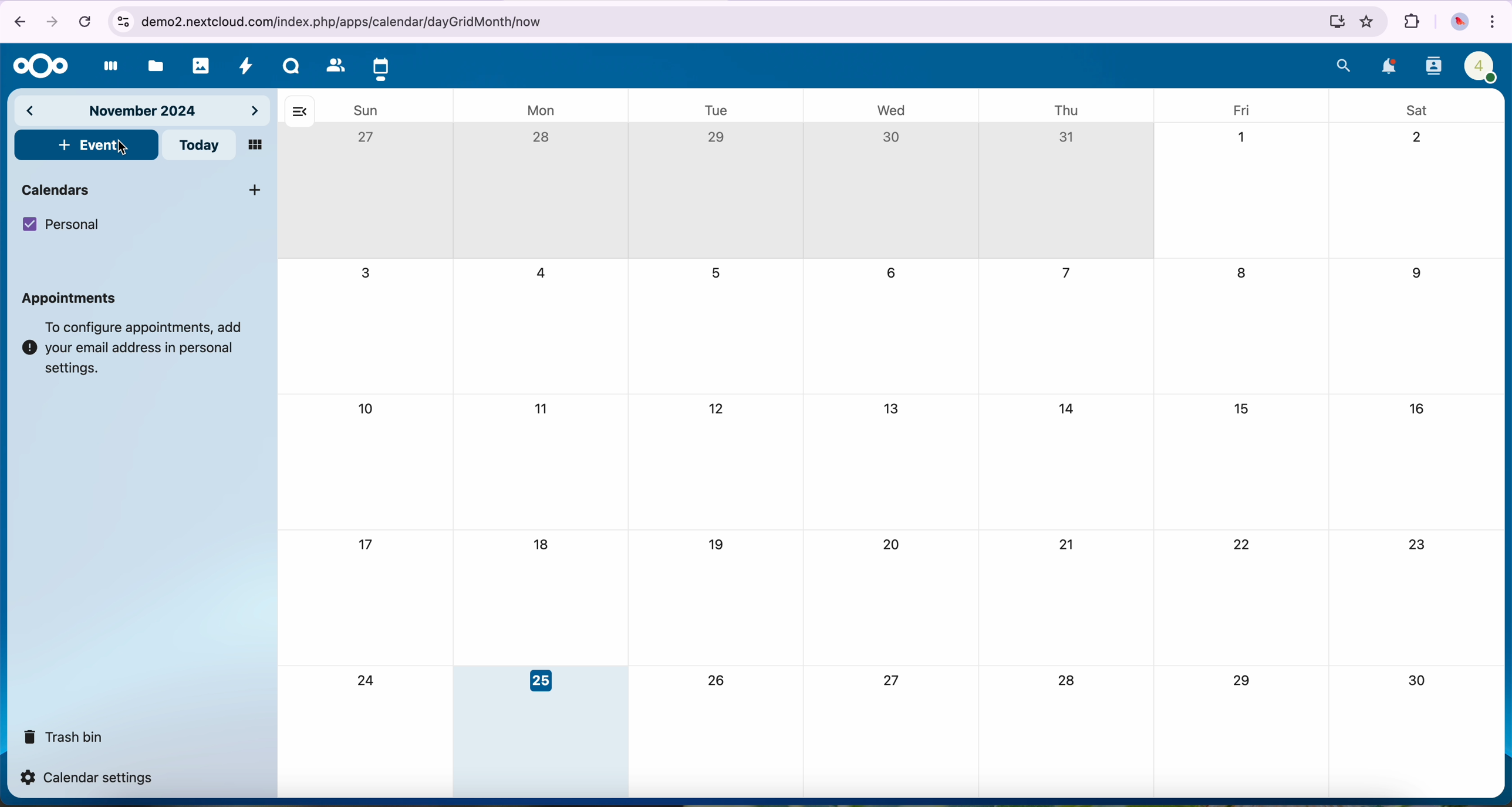 The image size is (1512, 807). What do you see at coordinates (1241, 544) in the screenshot?
I see `22` at bounding box center [1241, 544].